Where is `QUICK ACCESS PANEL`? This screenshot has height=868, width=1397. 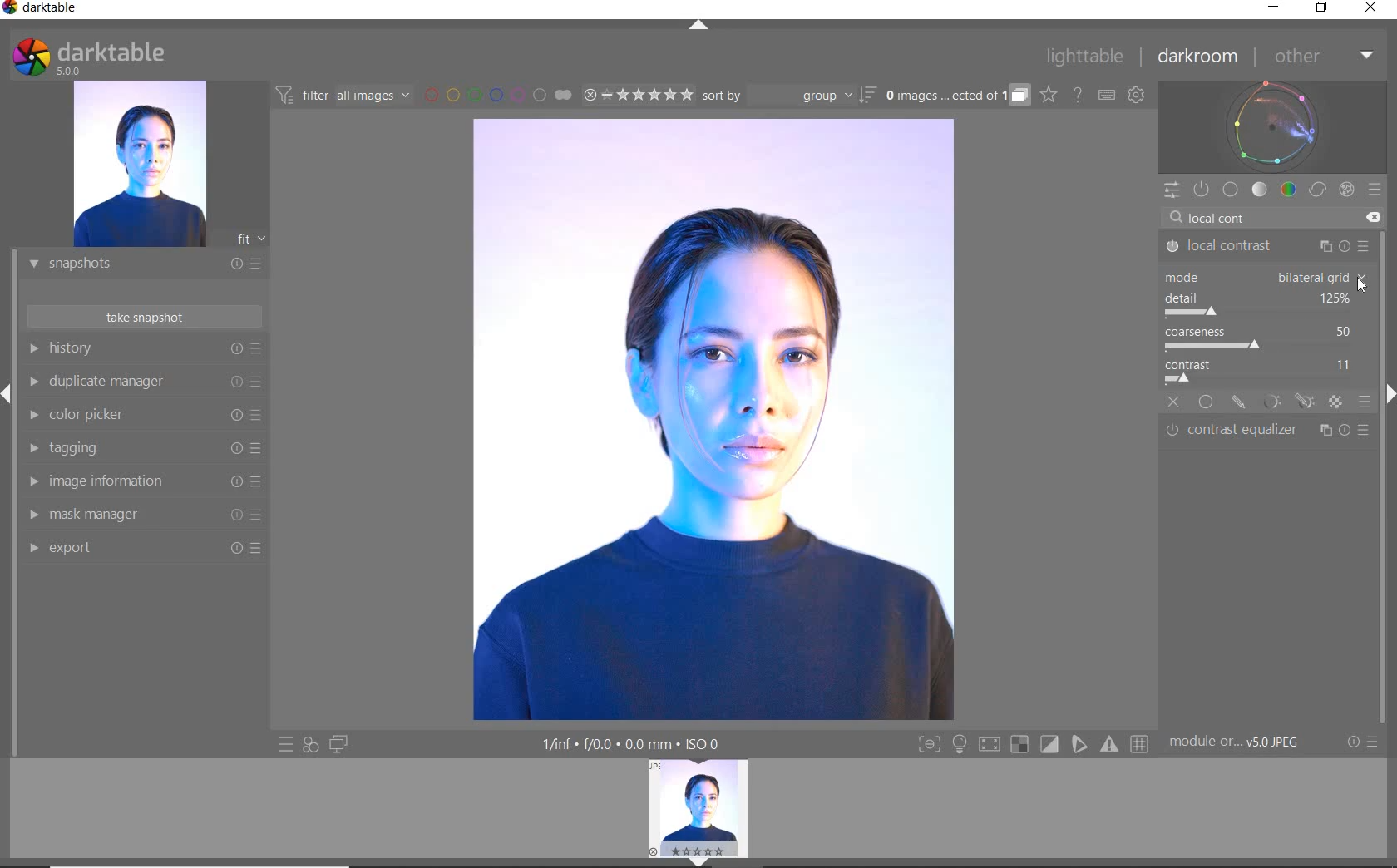
QUICK ACCESS PANEL is located at coordinates (1171, 191).